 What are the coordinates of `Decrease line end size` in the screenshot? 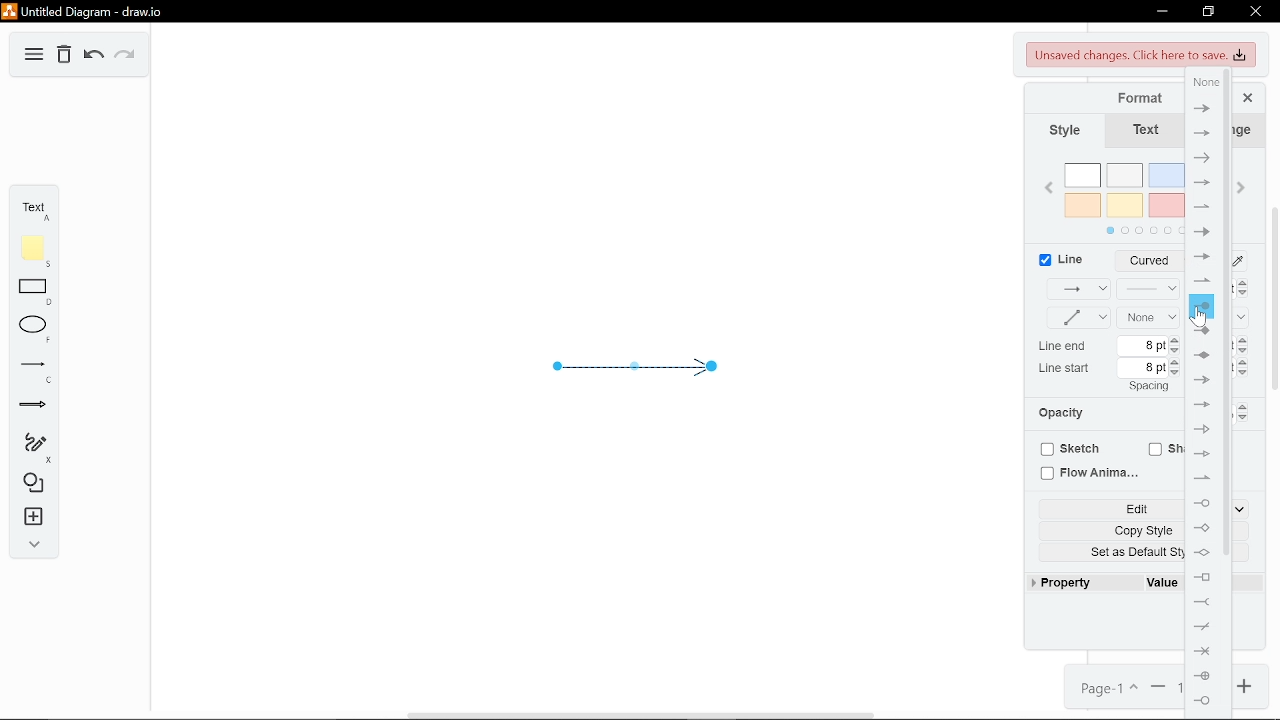 It's located at (1245, 350).